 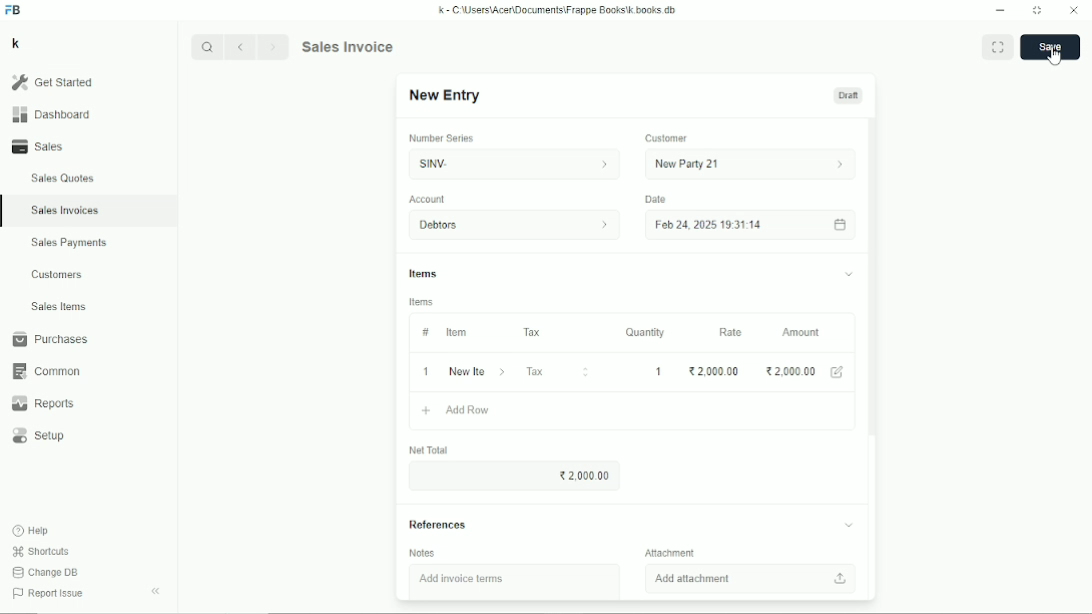 What do you see at coordinates (645, 332) in the screenshot?
I see `Quantity` at bounding box center [645, 332].